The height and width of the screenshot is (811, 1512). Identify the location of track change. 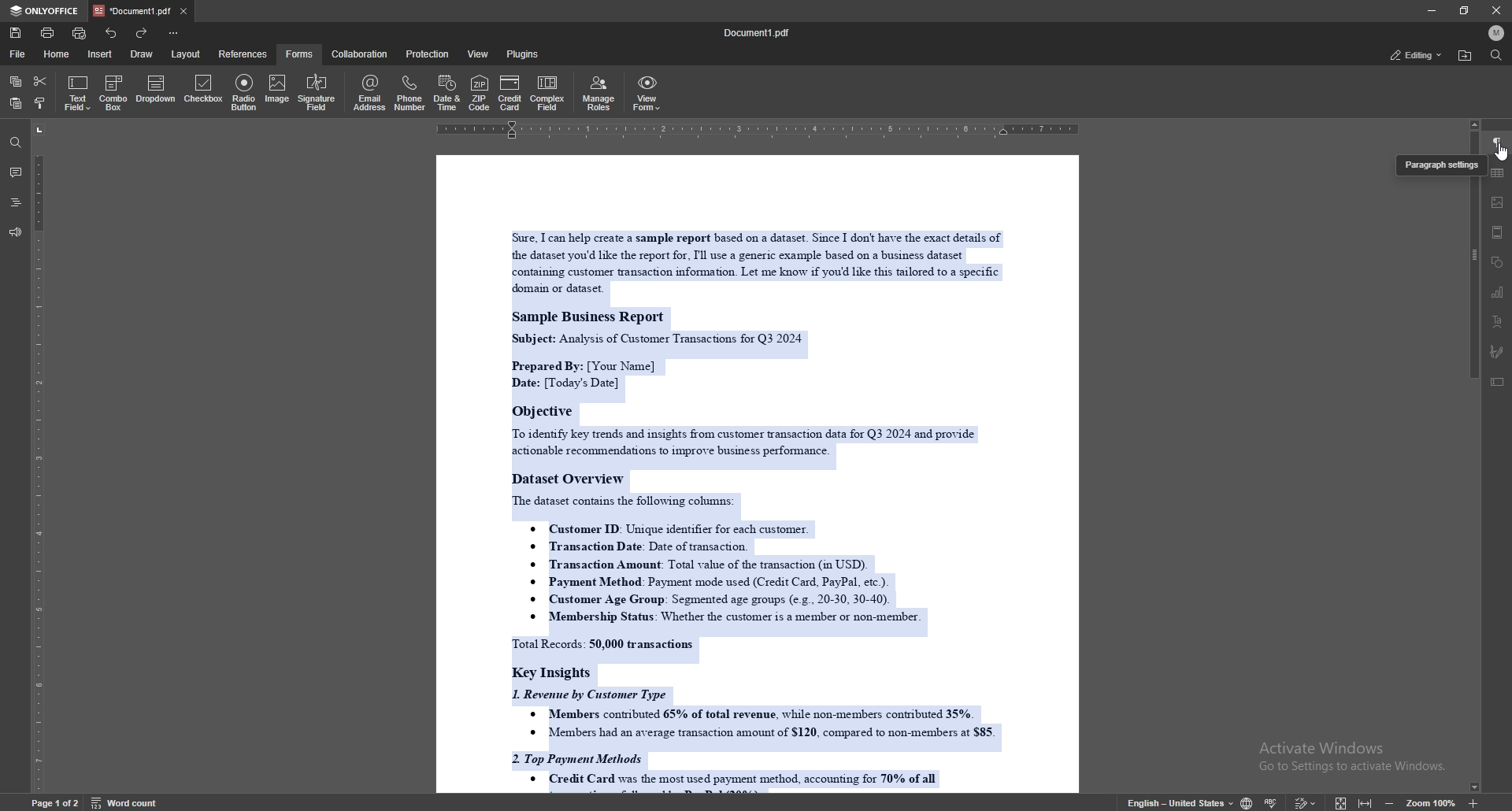
(1306, 801).